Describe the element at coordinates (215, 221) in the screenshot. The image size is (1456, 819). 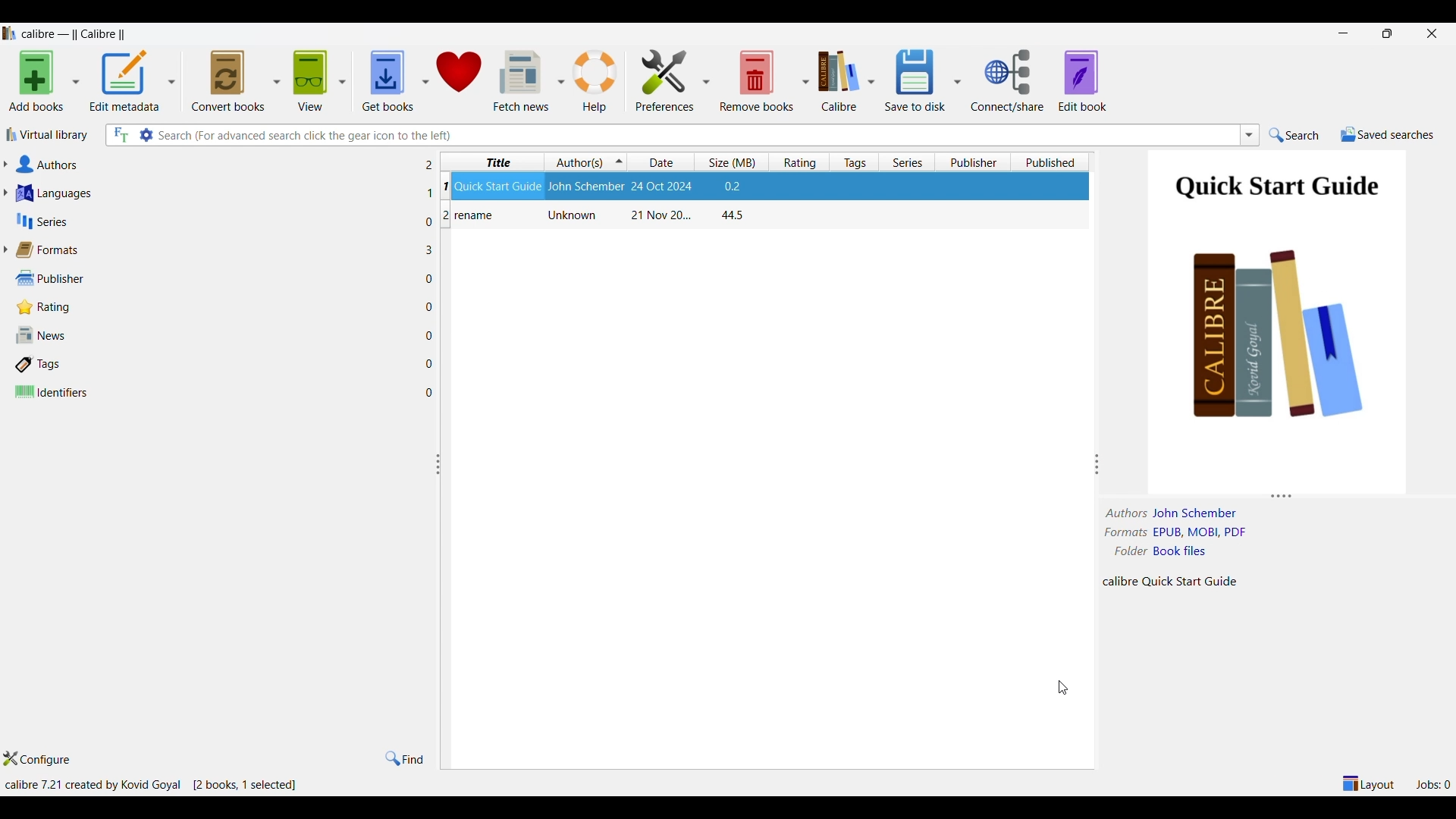
I see `Series` at that location.